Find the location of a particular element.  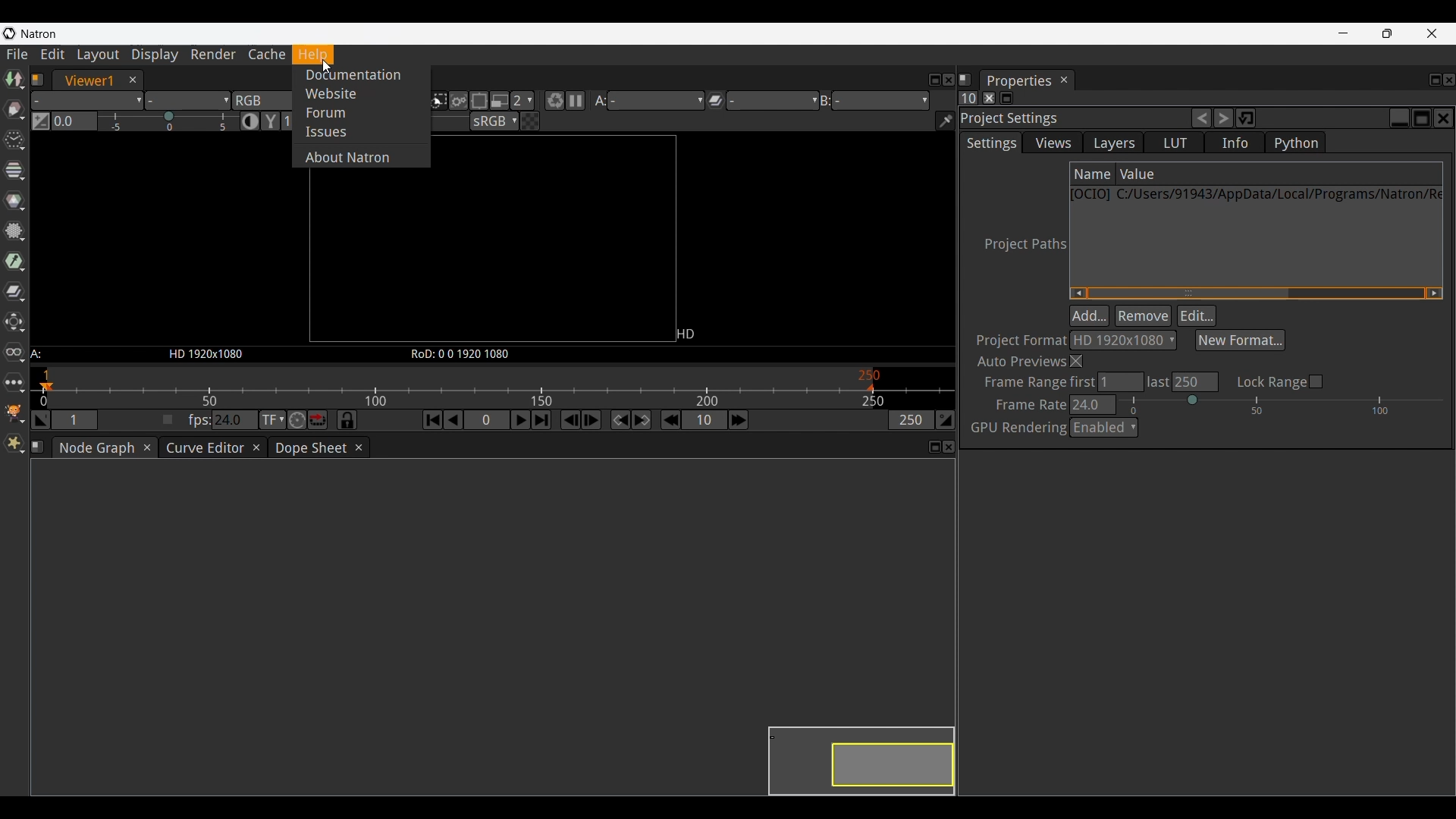

Operation applied between viewer input A and B is located at coordinates (762, 99).